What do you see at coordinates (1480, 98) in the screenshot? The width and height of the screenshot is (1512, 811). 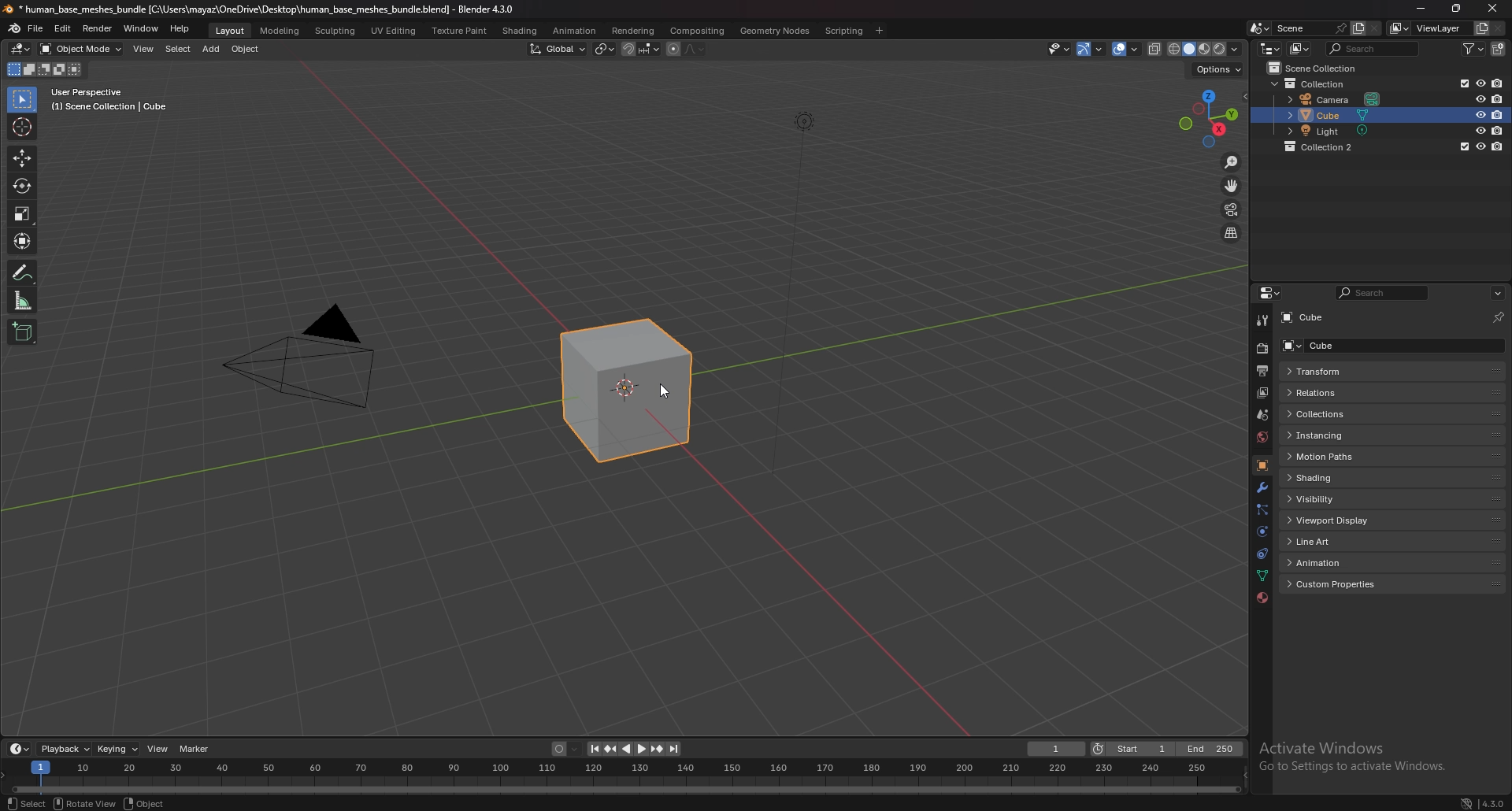 I see `hide in viewport` at bounding box center [1480, 98].